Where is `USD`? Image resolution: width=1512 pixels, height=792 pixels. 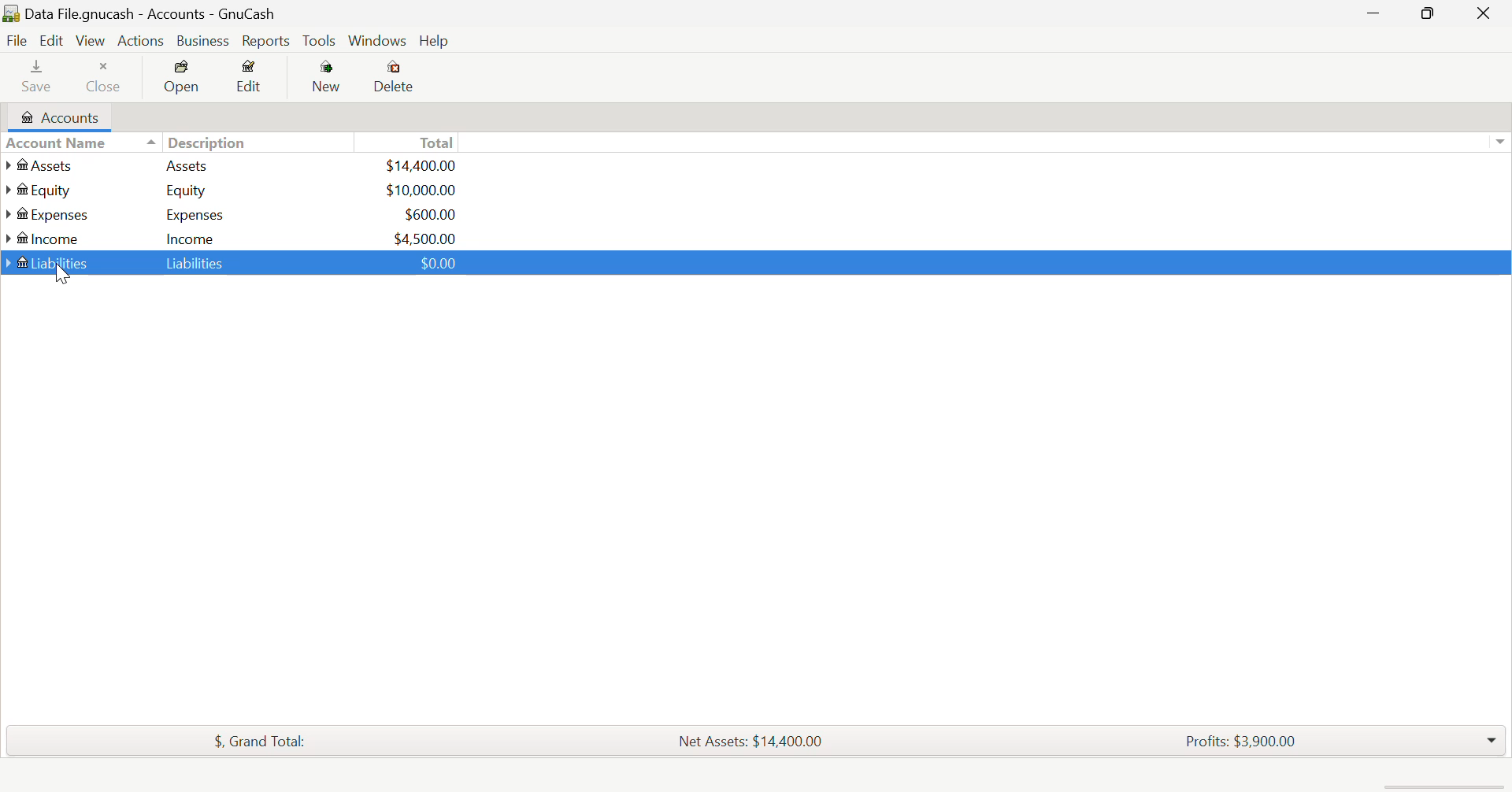 USD is located at coordinates (421, 190).